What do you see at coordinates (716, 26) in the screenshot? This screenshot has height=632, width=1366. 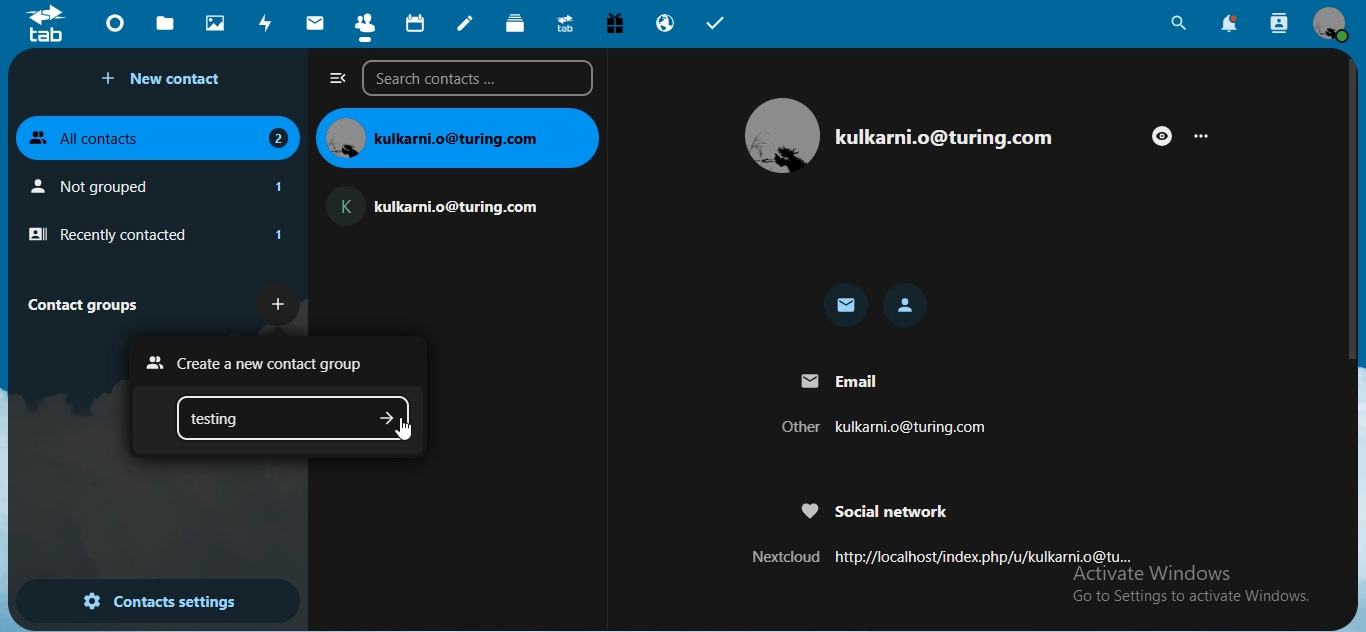 I see `tasks` at bounding box center [716, 26].